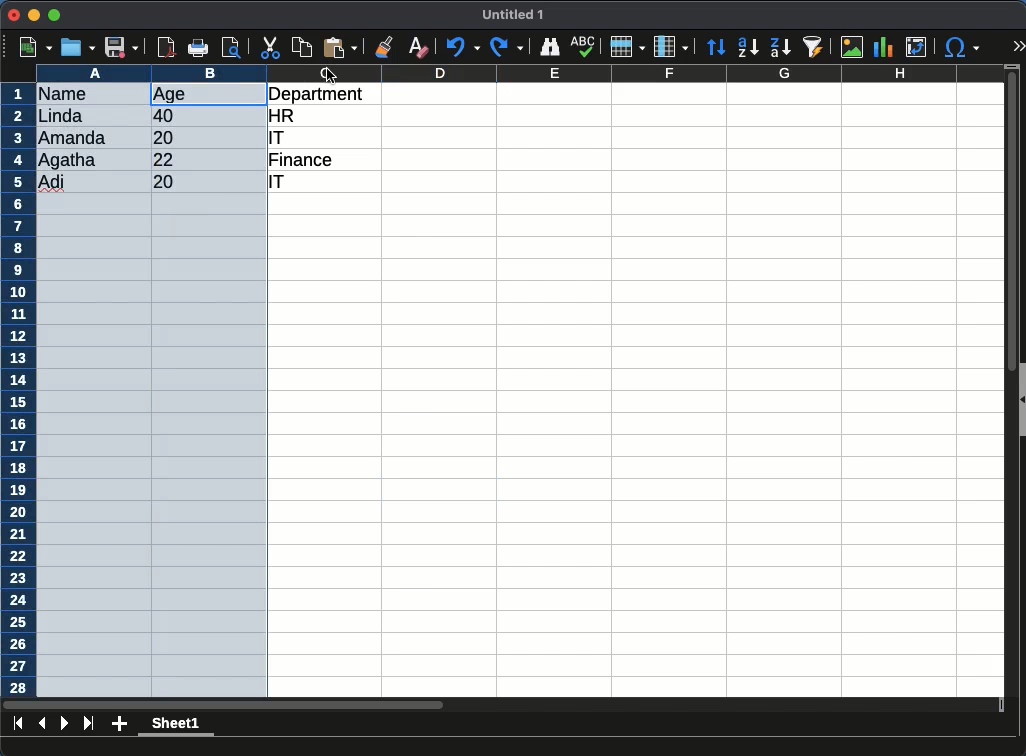 The width and height of the screenshot is (1026, 756). Describe the element at coordinates (35, 14) in the screenshot. I see `minimize` at that location.